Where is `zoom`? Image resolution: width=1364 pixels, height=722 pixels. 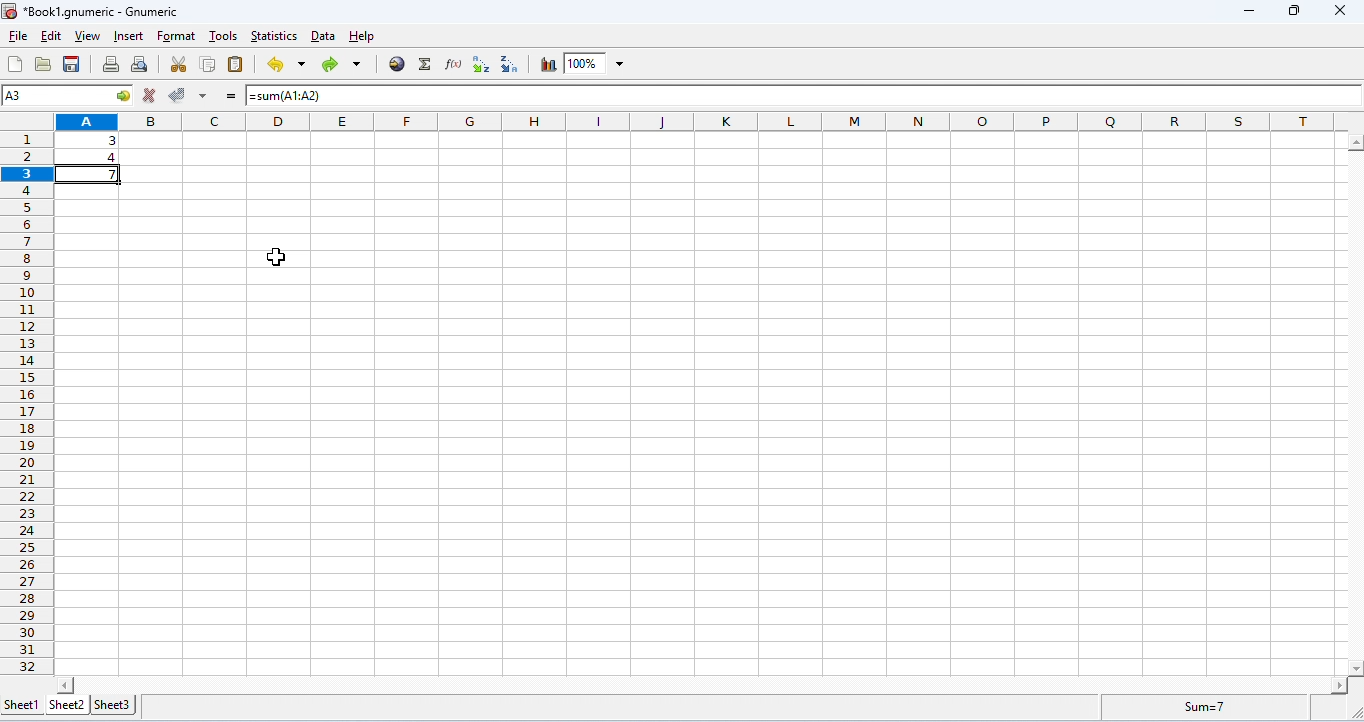
zoom is located at coordinates (595, 63).